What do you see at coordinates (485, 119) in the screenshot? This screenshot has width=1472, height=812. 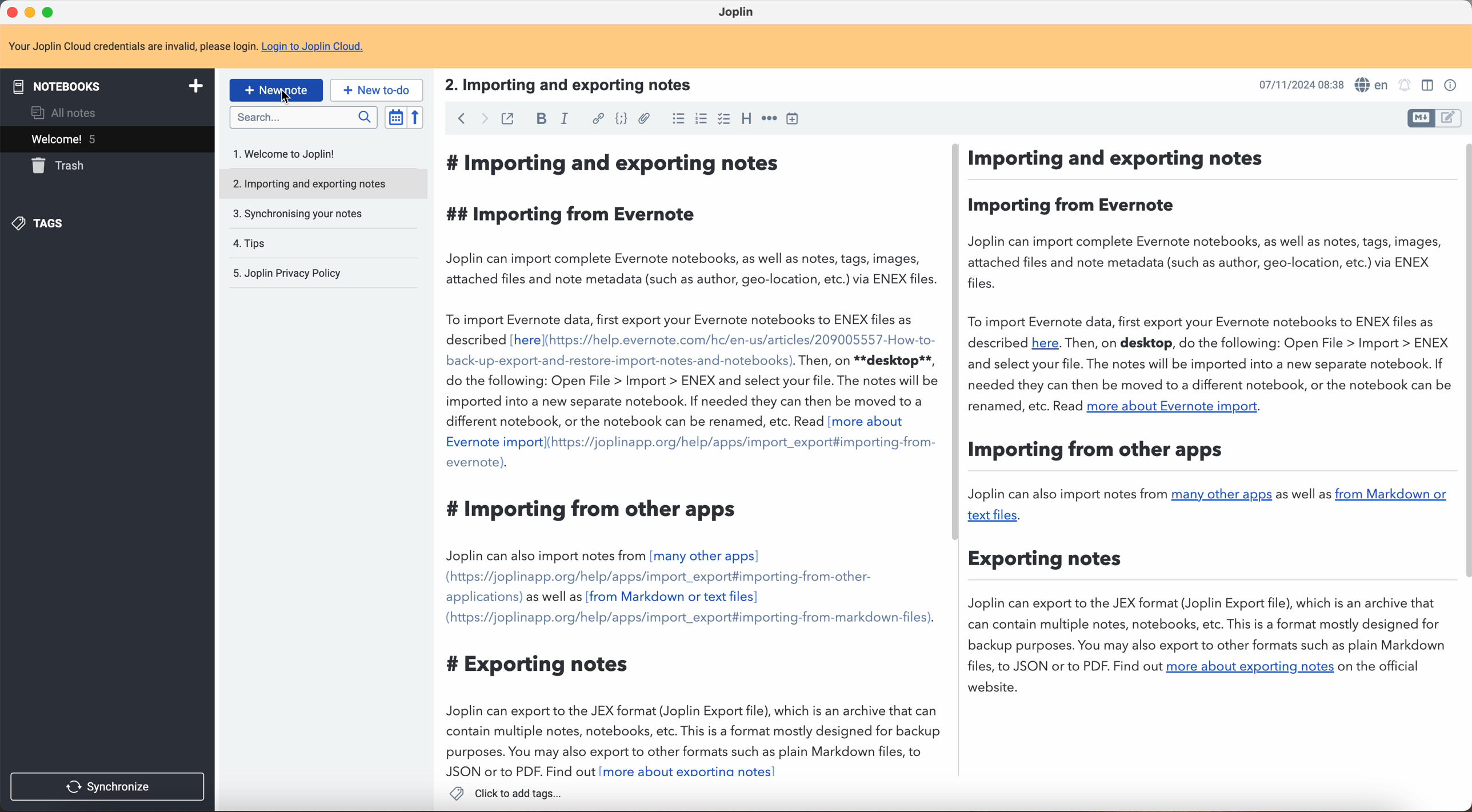 I see `foward` at bounding box center [485, 119].